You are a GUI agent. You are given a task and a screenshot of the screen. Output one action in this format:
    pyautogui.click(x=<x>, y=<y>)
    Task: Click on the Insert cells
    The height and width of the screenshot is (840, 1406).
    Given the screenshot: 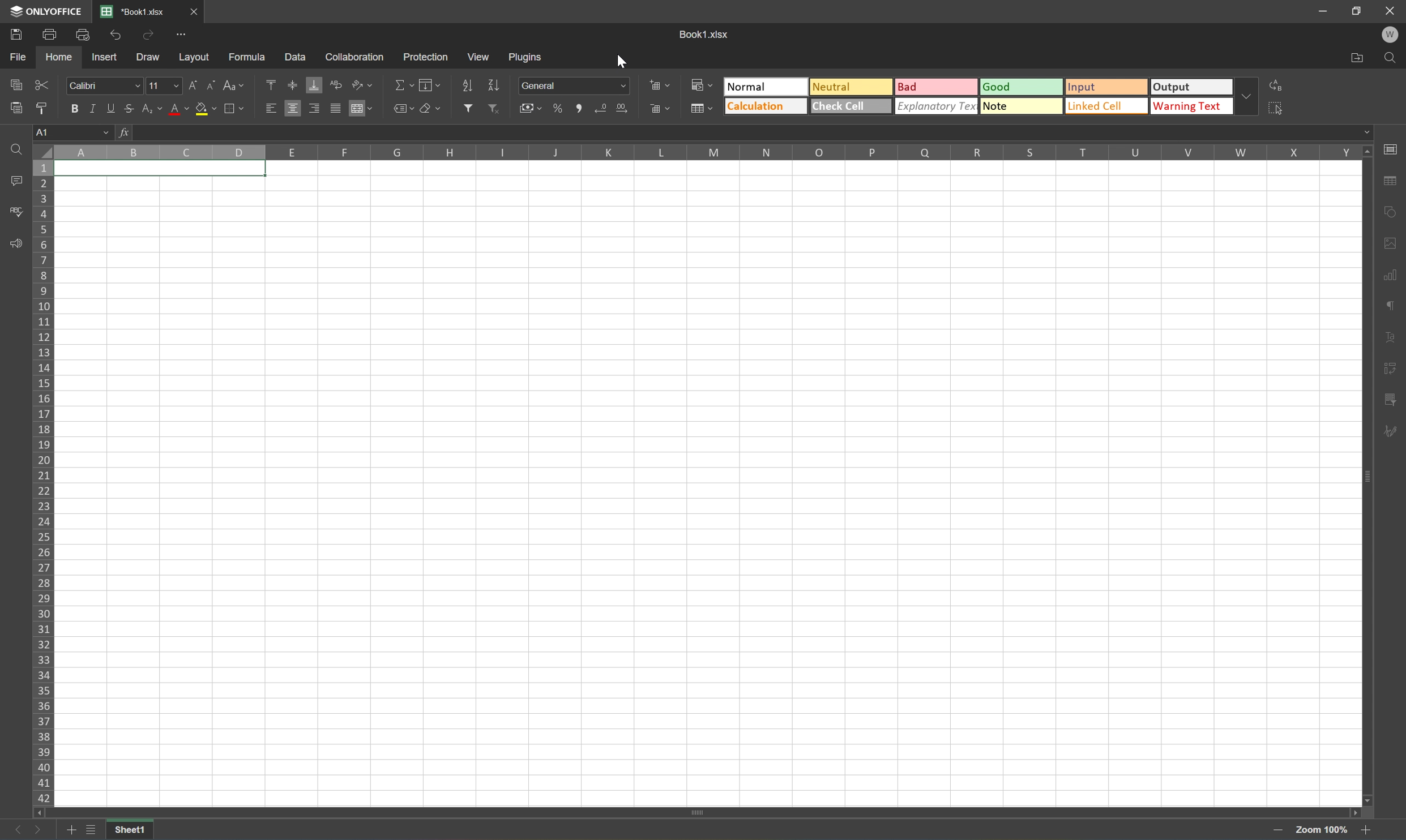 What is the action you would take?
    pyautogui.click(x=657, y=84)
    